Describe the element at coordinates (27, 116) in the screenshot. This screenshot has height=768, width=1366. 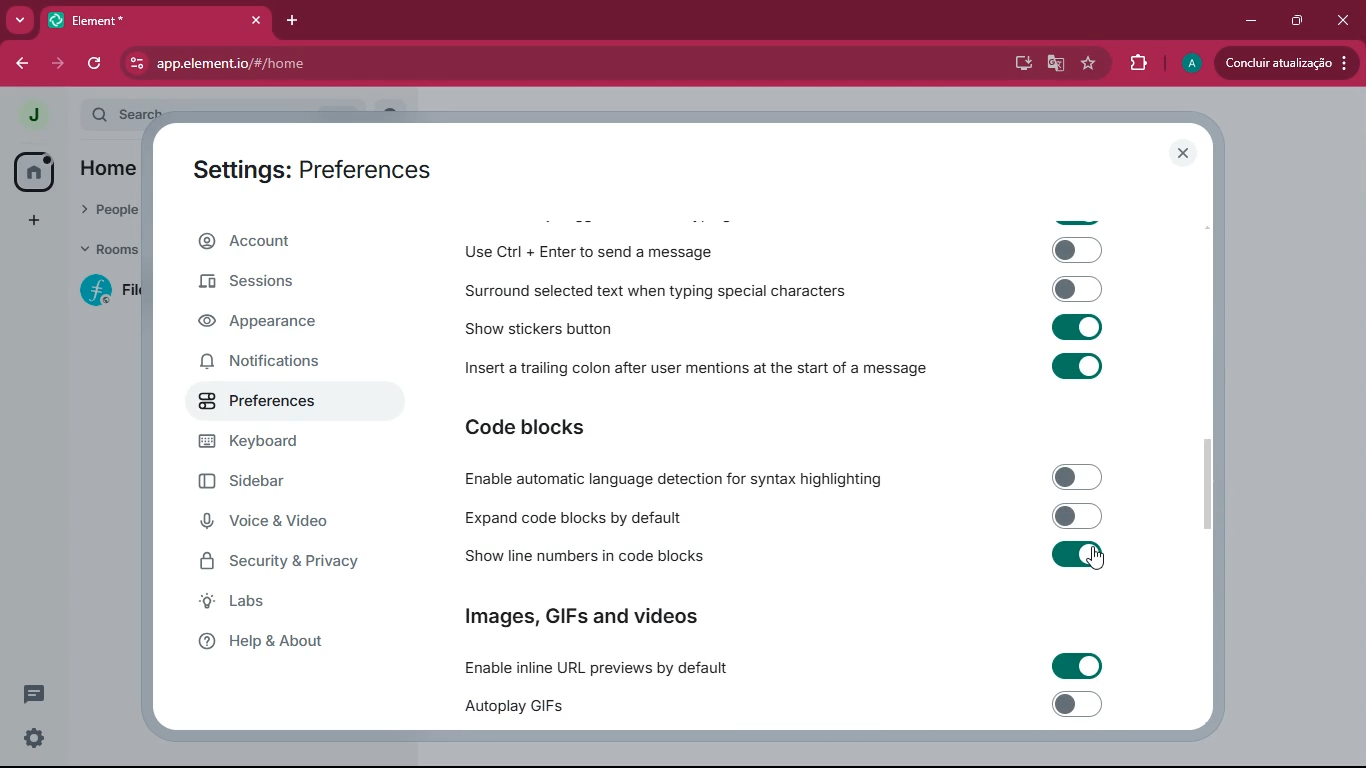
I see `profile picture` at that location.